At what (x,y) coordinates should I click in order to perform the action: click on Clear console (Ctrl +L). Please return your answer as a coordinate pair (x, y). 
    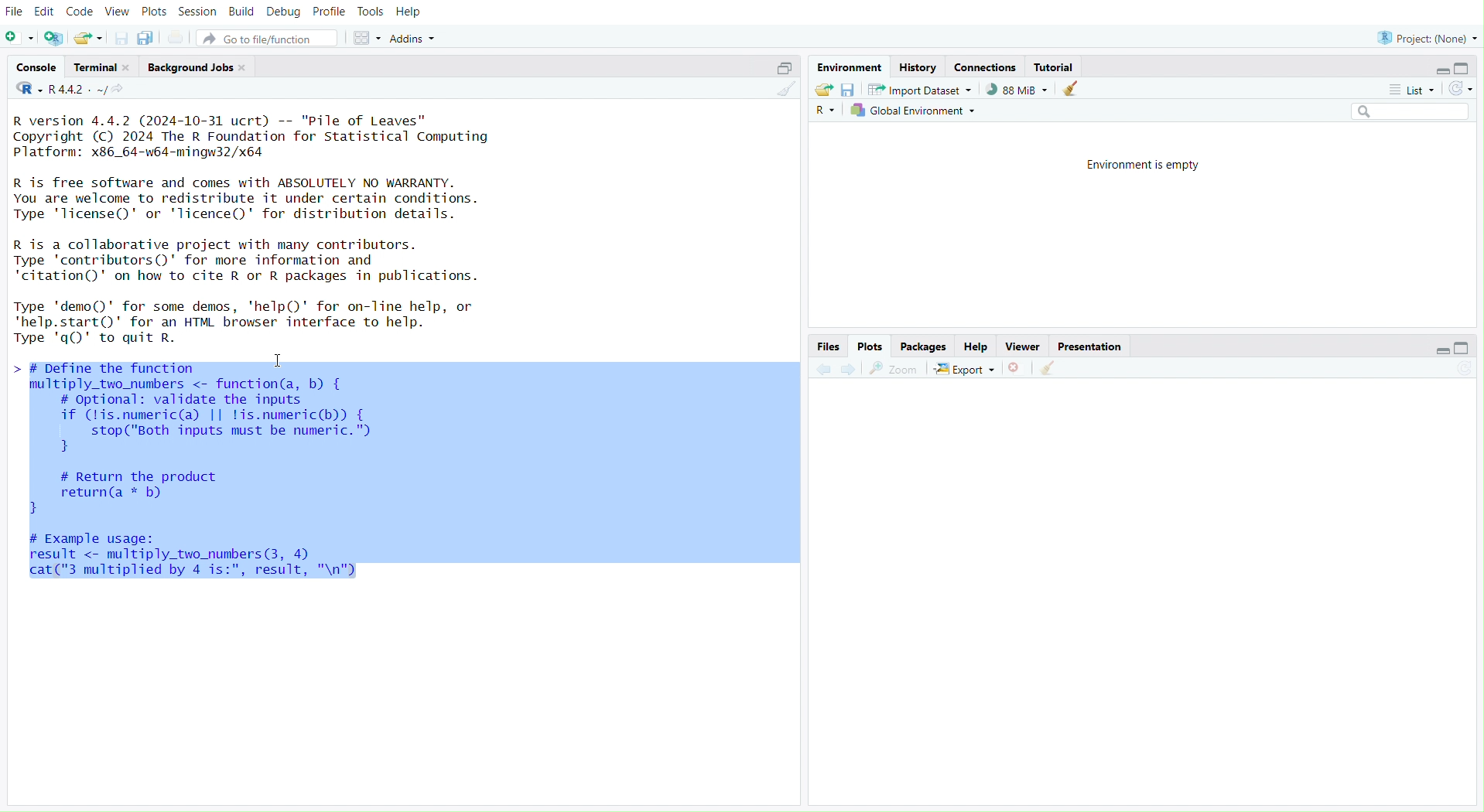
    Looking at the image, I should click on (1075, 88).